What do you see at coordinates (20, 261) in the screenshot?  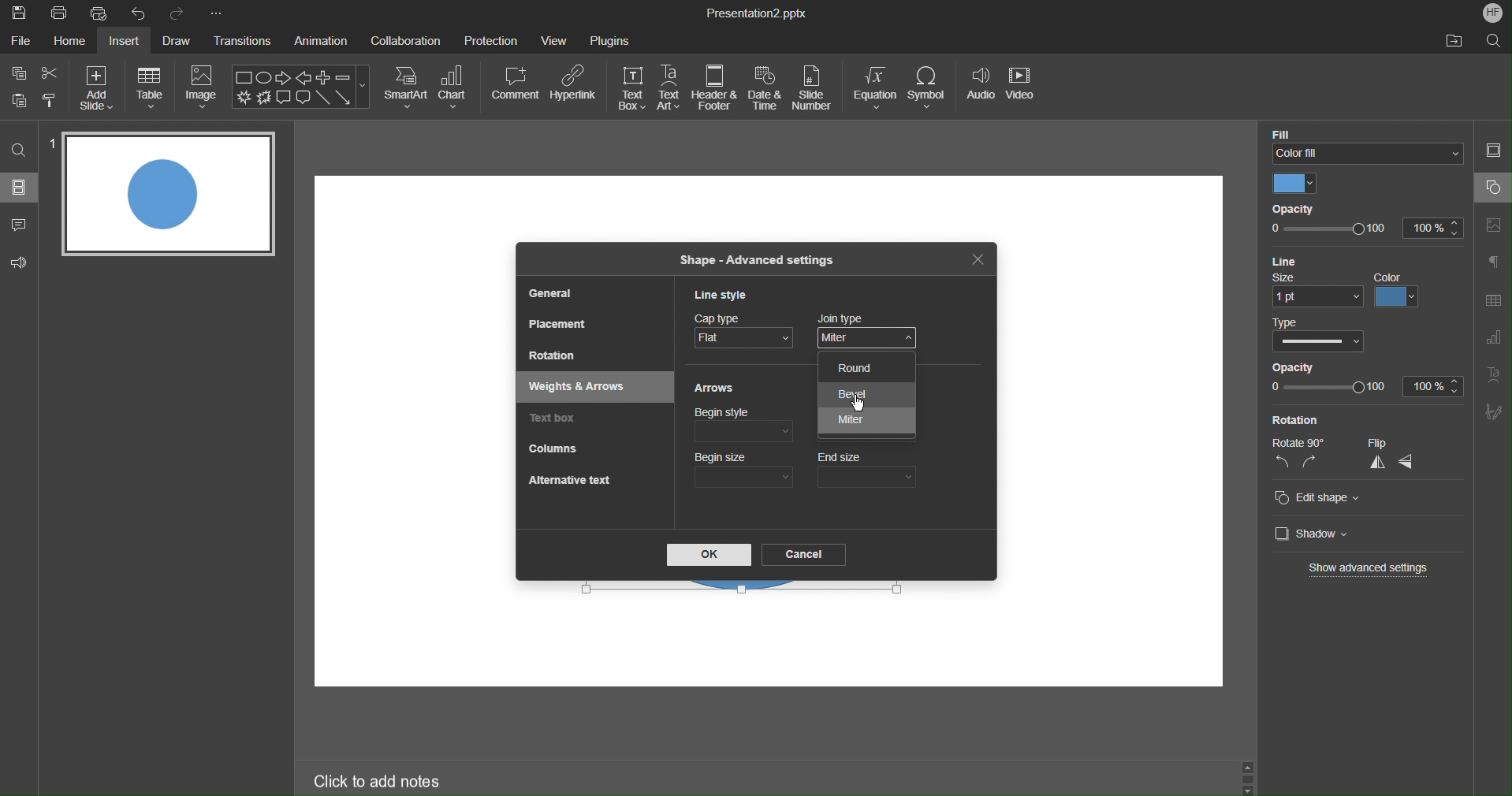 I see `Feedback & Support` at bounding box center [20, 261].